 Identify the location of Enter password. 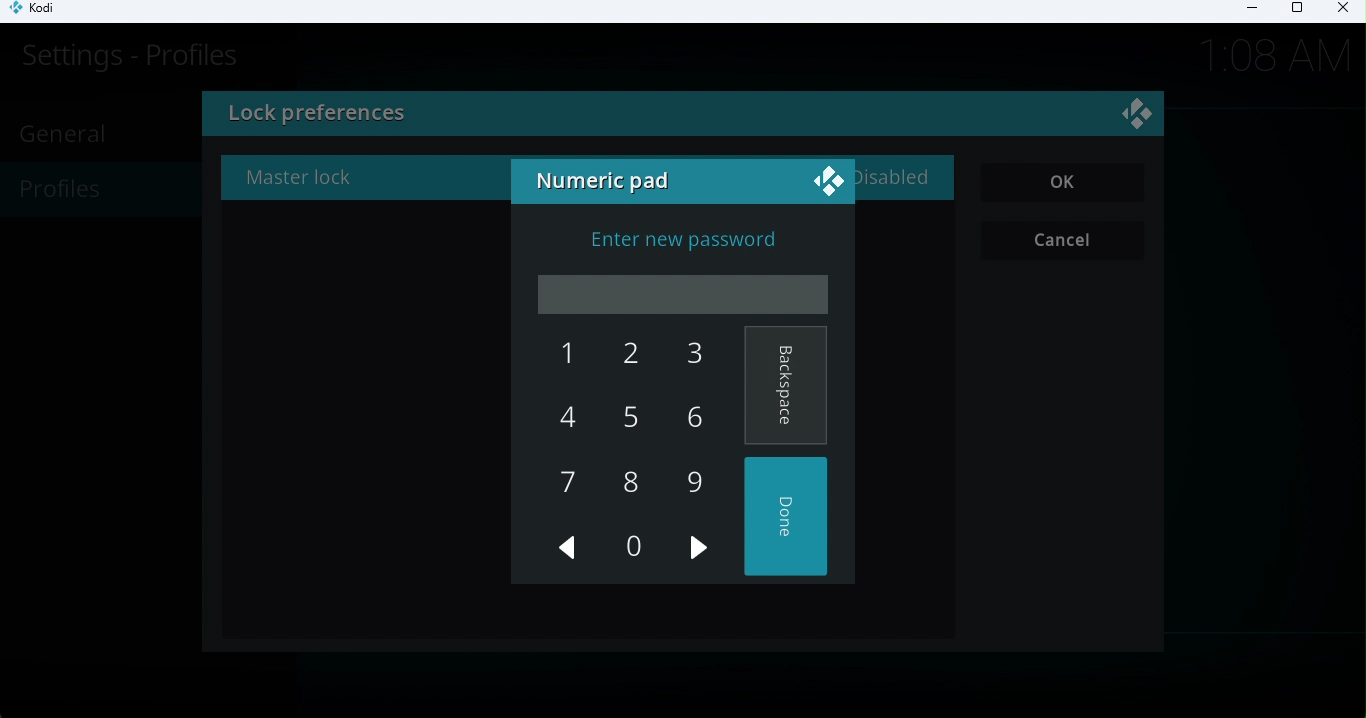
(686, 294).